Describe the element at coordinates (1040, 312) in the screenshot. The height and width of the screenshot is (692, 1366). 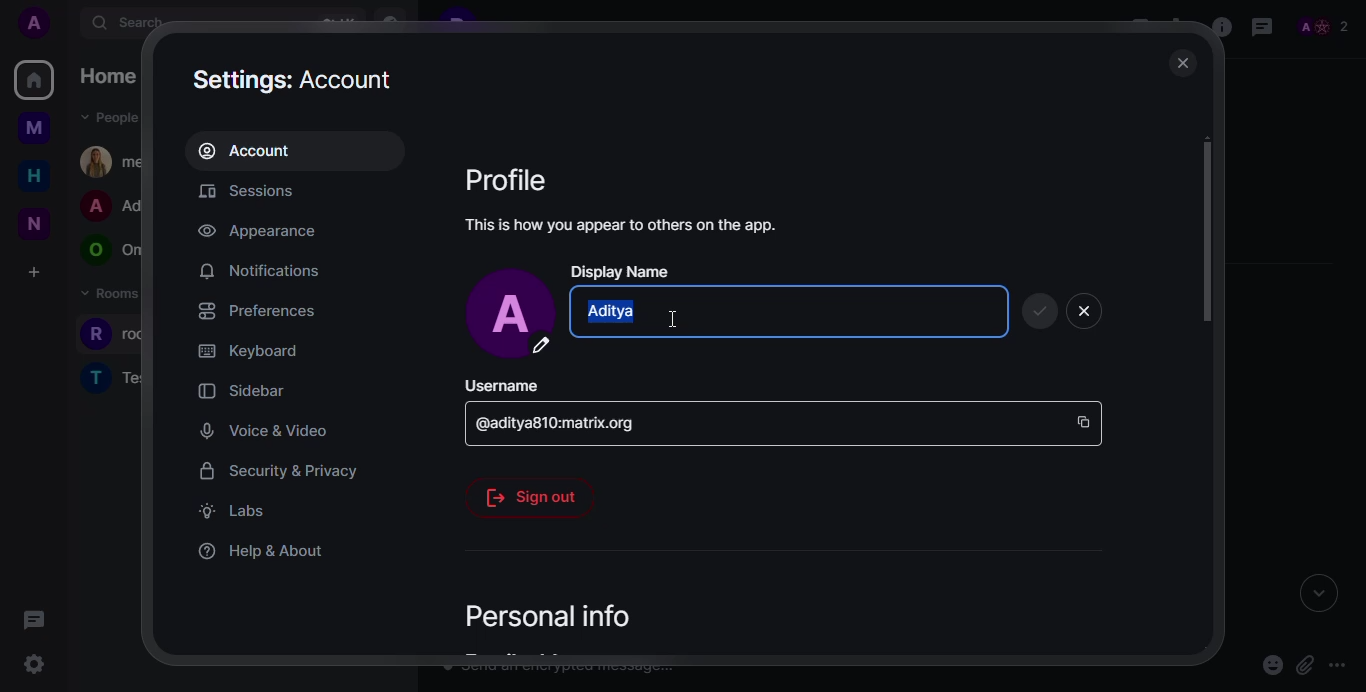
I see `update` at that location.